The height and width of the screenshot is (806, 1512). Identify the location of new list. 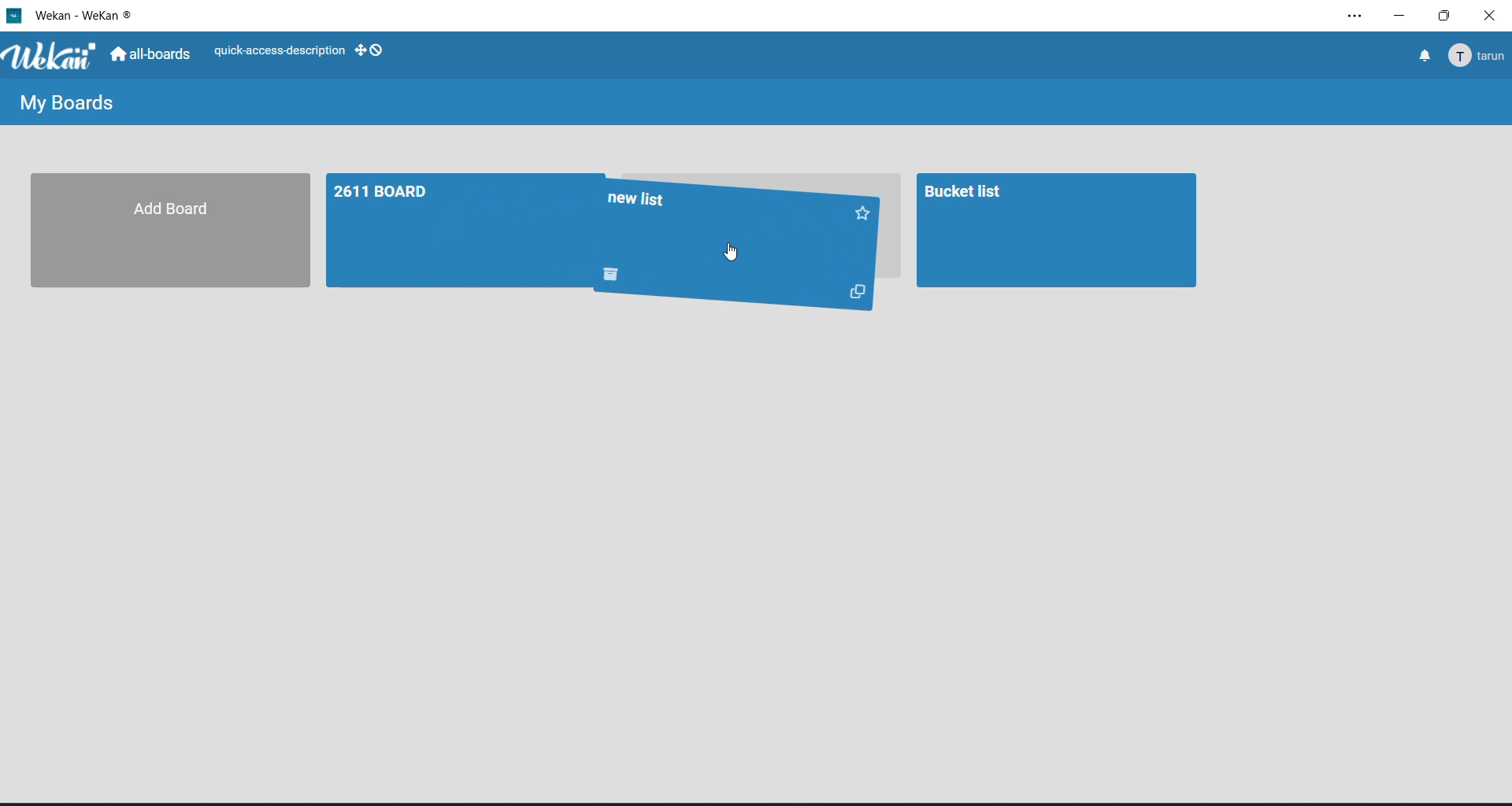
(724, 213).